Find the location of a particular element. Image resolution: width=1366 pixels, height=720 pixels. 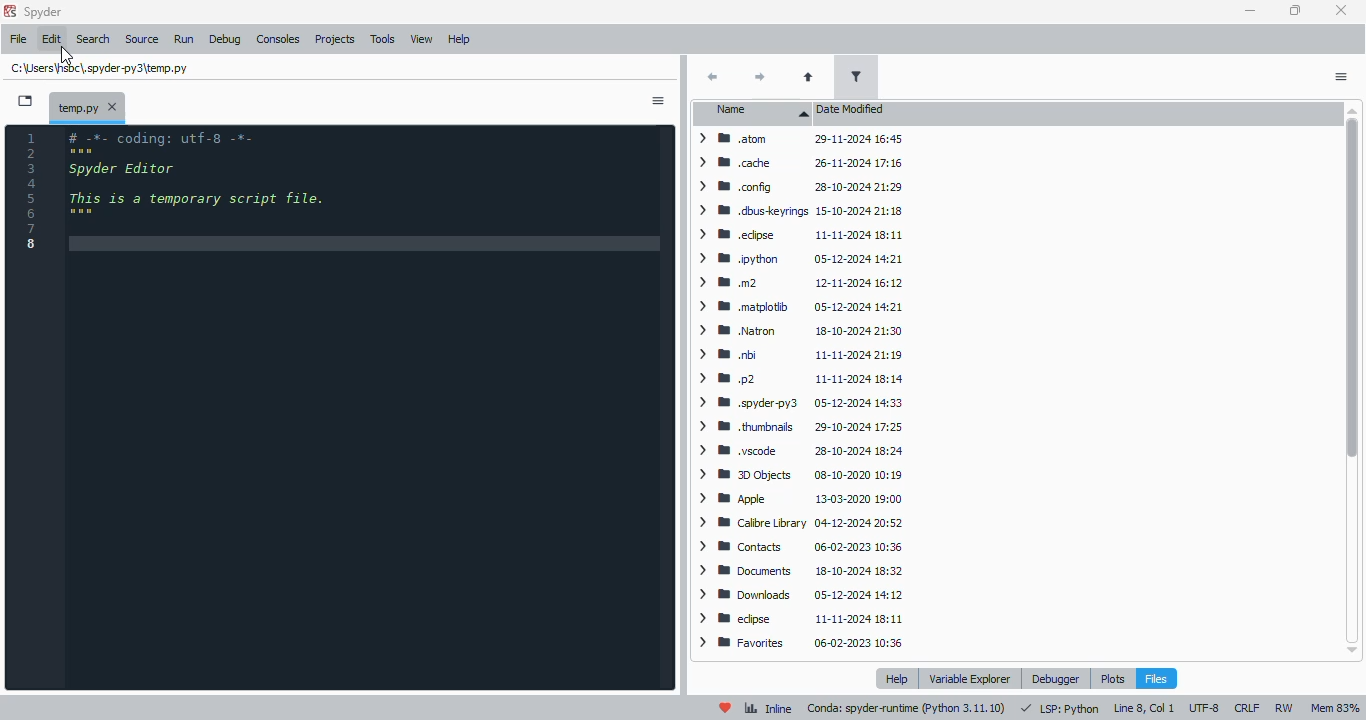

files is located at coordinates (1156, 678).